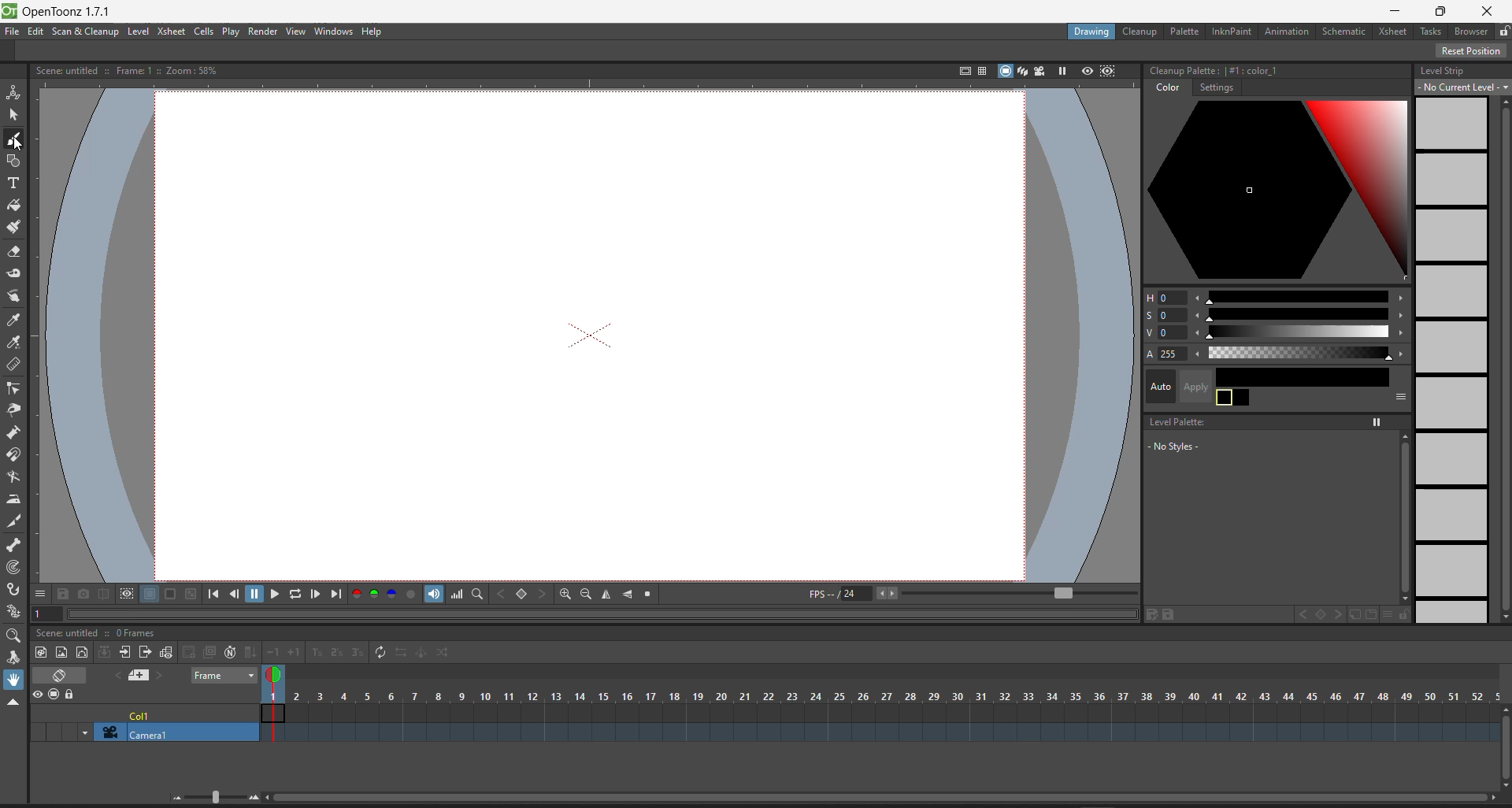 The height and width of the screenshot is (808, 1512). I want to click on set the current frame, so click(49, 613).